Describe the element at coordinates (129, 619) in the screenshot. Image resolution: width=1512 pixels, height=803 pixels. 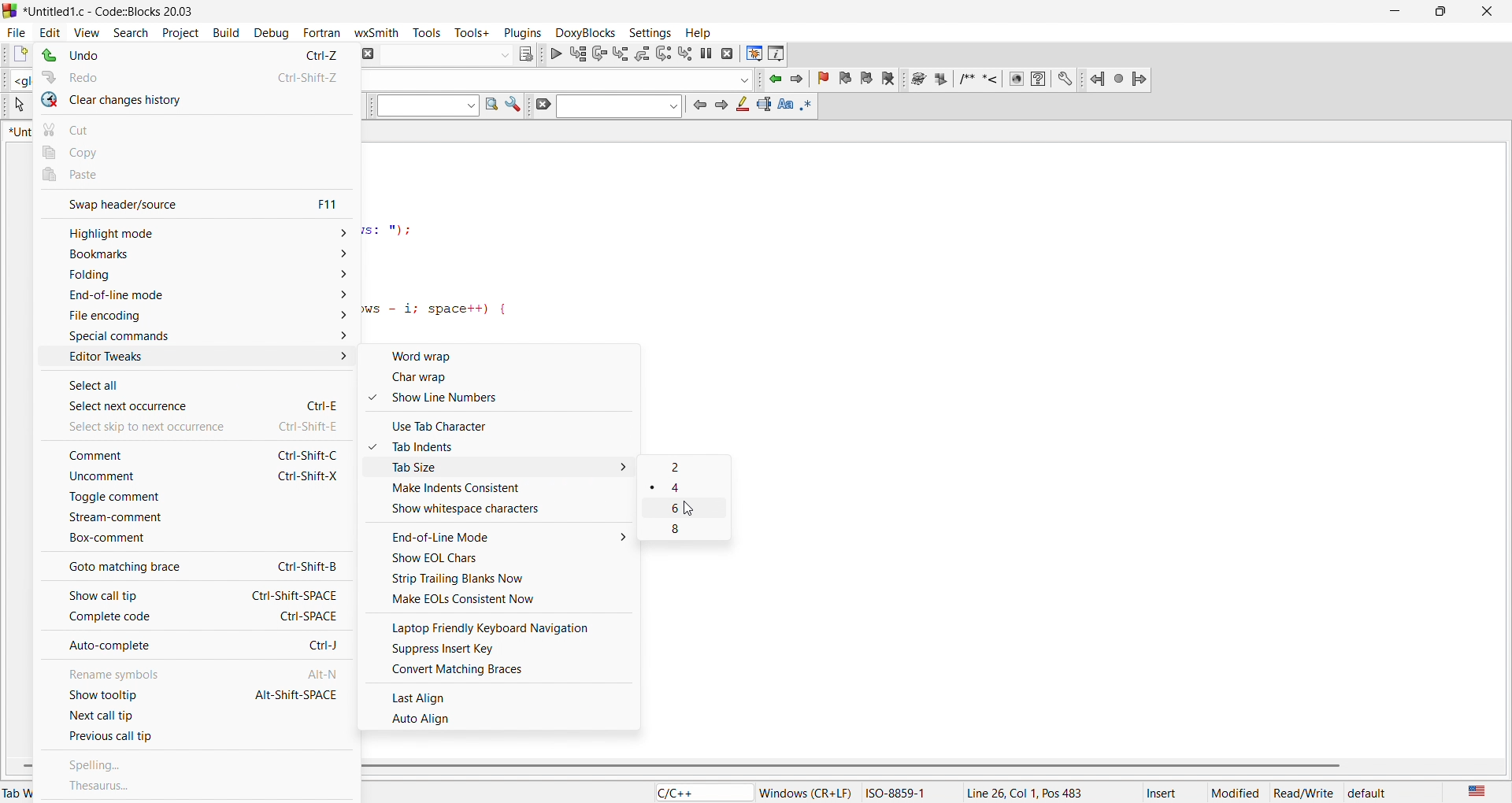
I see `complete code ` at that location.